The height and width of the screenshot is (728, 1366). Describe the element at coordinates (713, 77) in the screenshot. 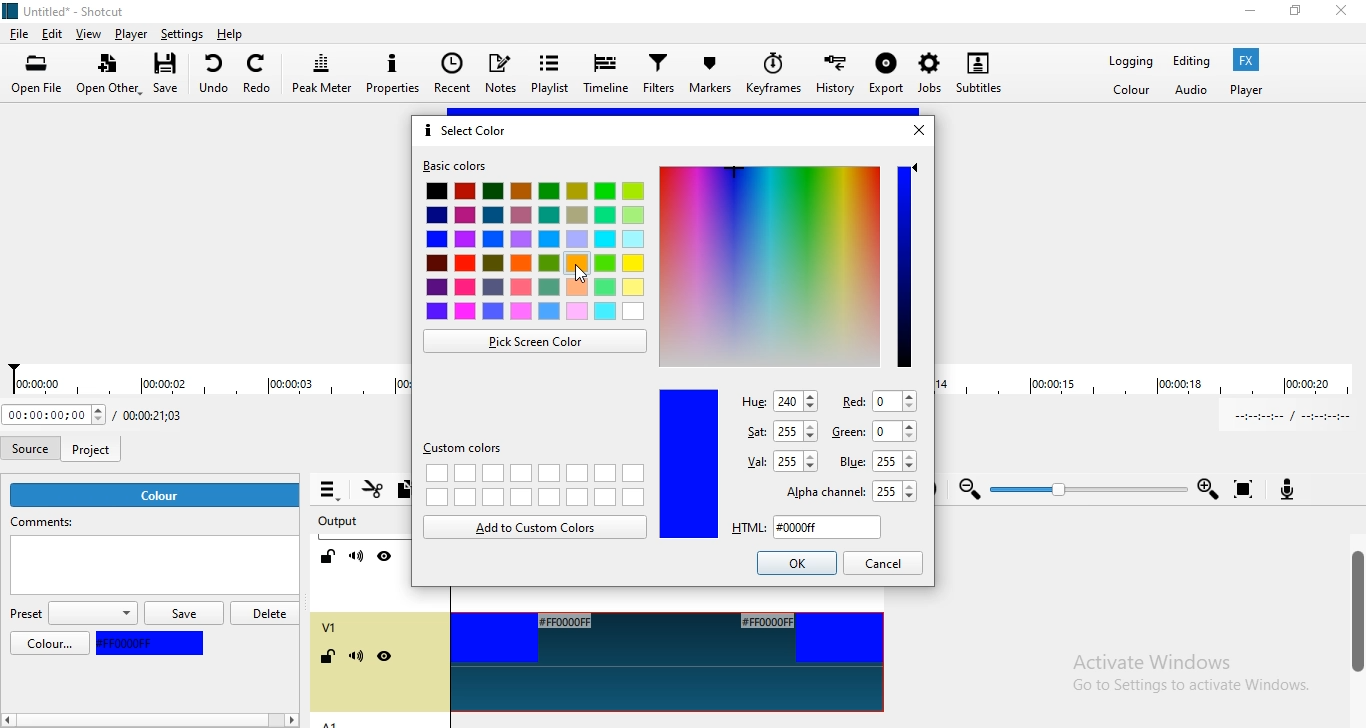

I see `Markers` at that location.